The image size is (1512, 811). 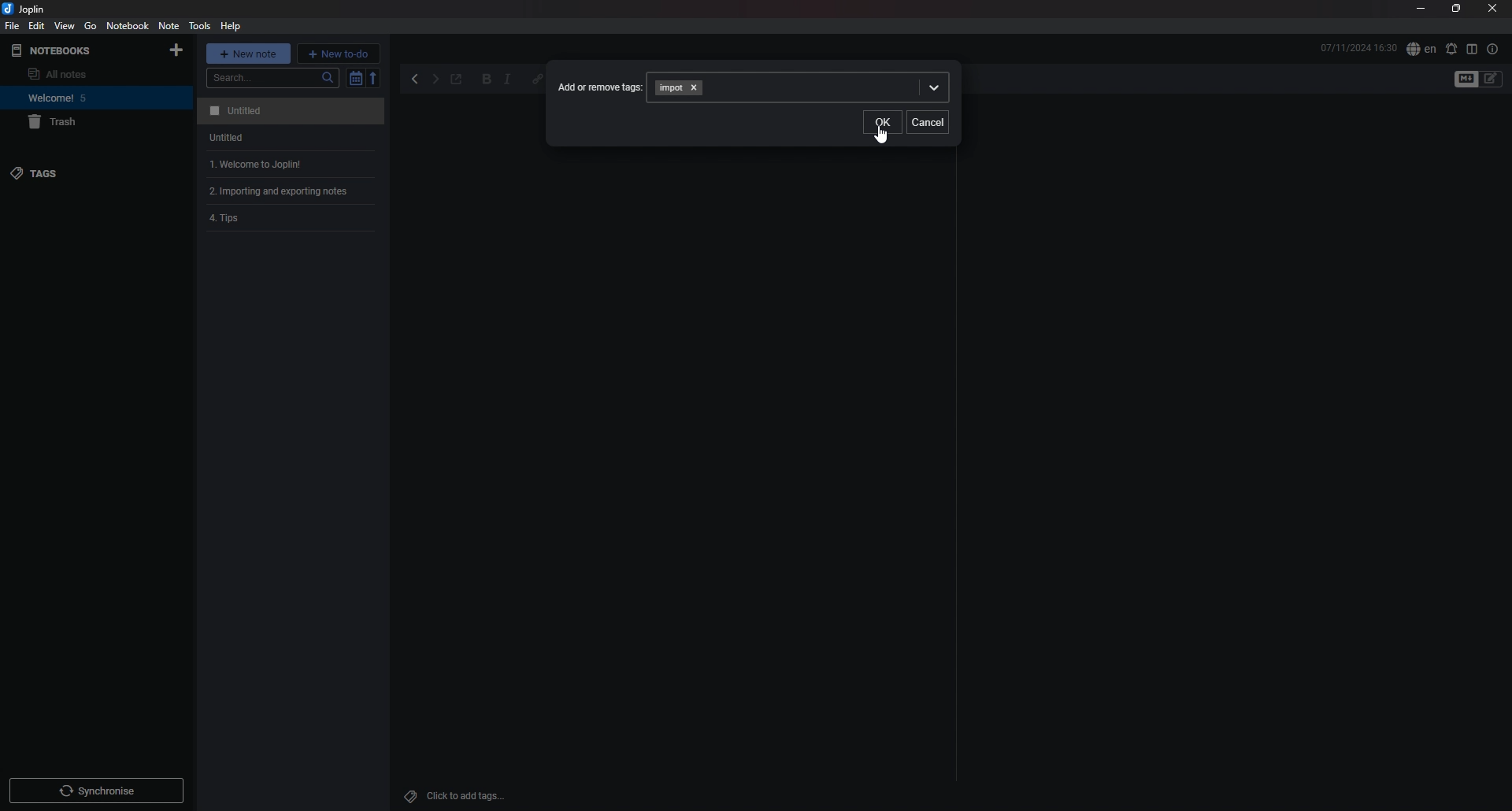 What do you see at coordinates (231, 26) in the screenshot?
I see `HELP` at bounding box center [231, 26].